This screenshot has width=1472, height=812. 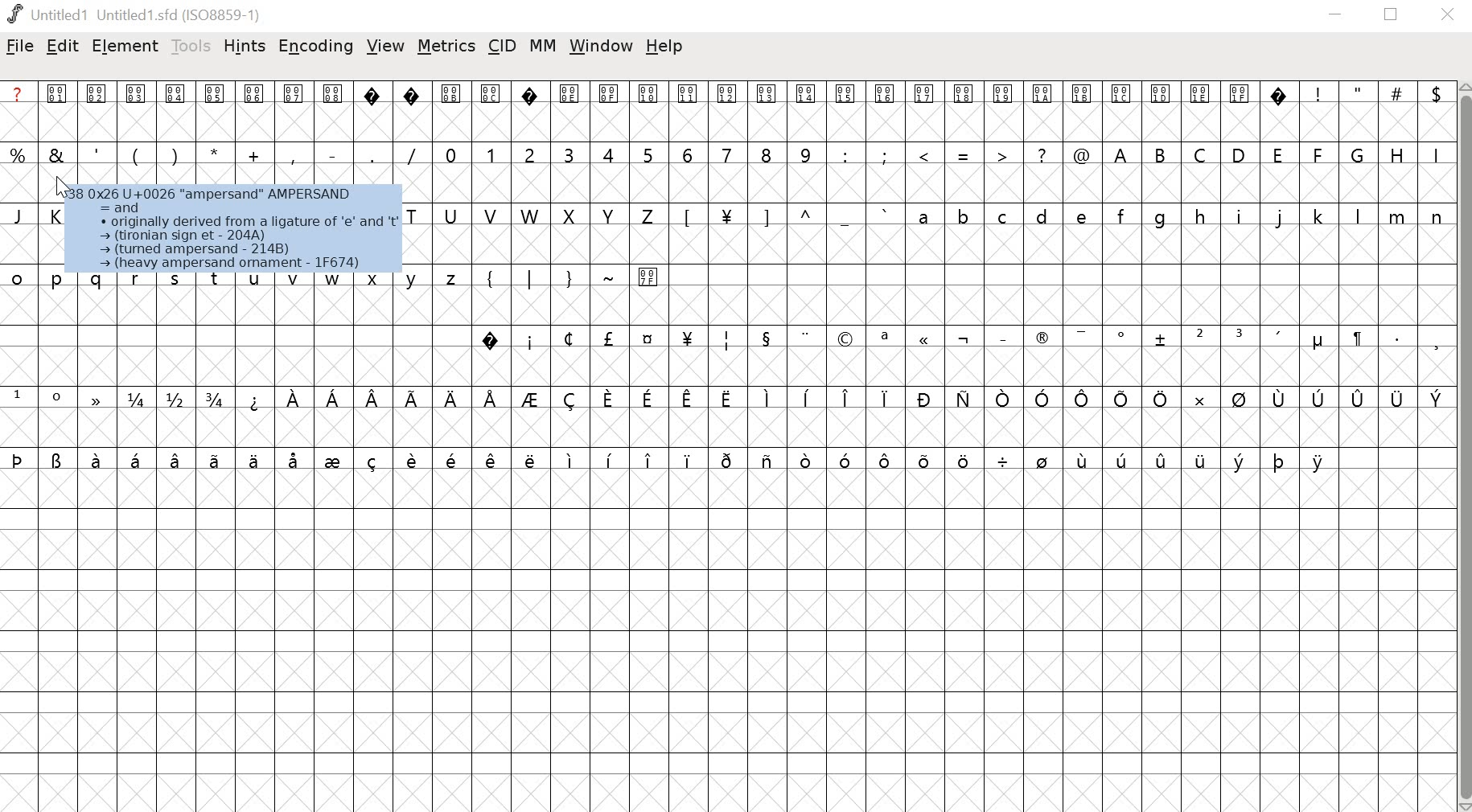 What do you see at coordinates (1004, 460) in the screenshot?
I see `symbol` at bounding box center [1004, 460].